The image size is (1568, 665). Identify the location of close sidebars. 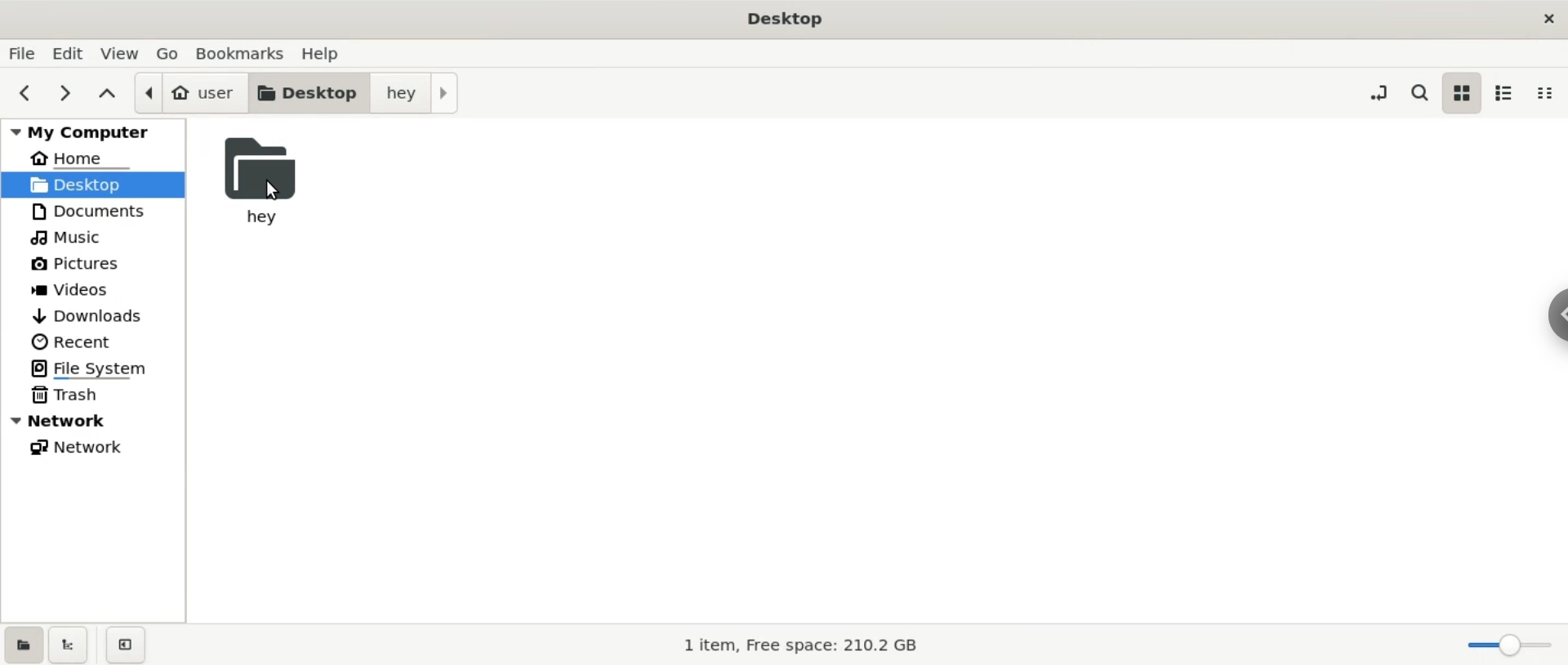
(125, 645).